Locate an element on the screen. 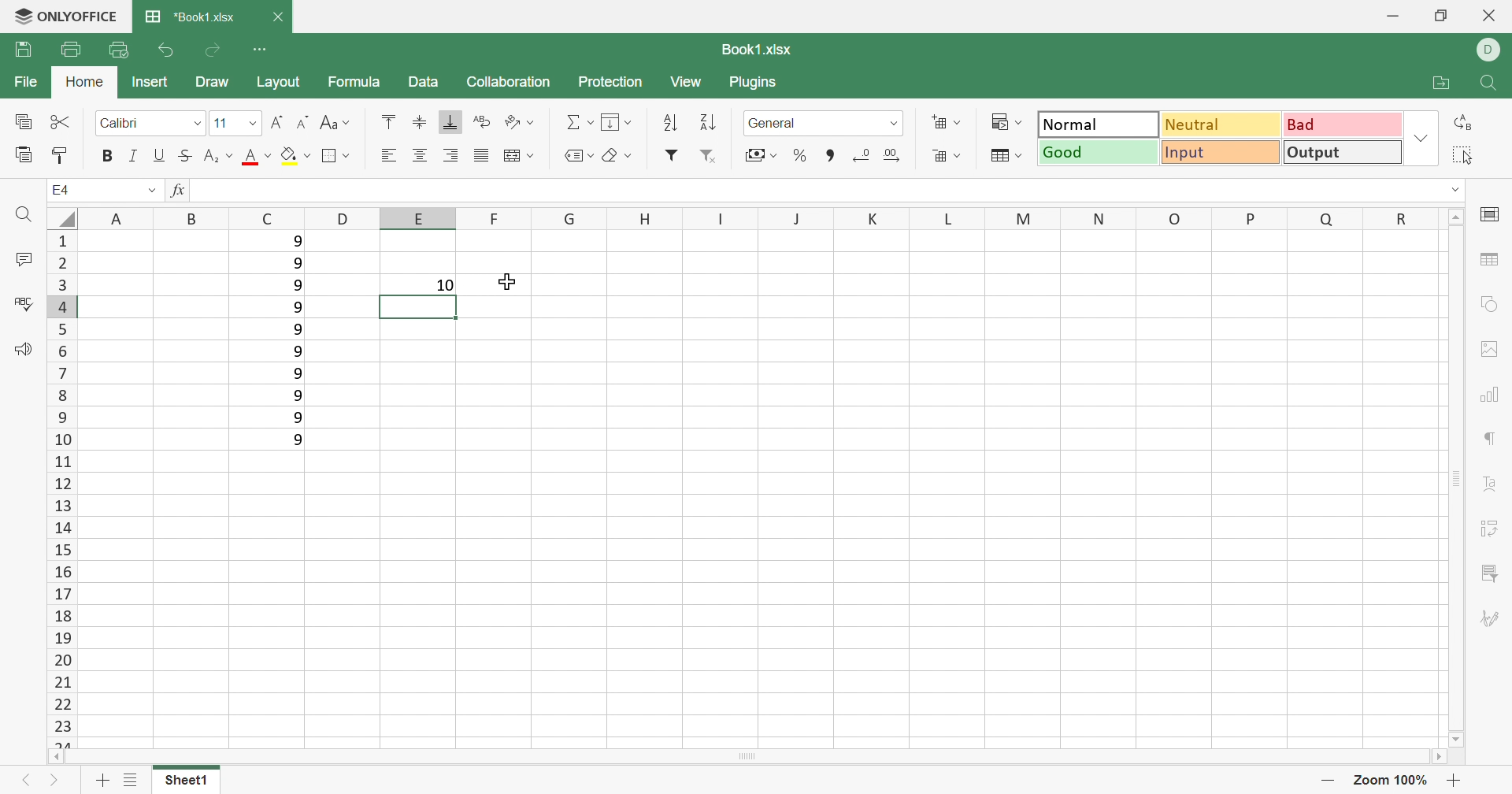 This screenshot has height=794, width=1512. List of Sheets is located at coordinates (131, 781).